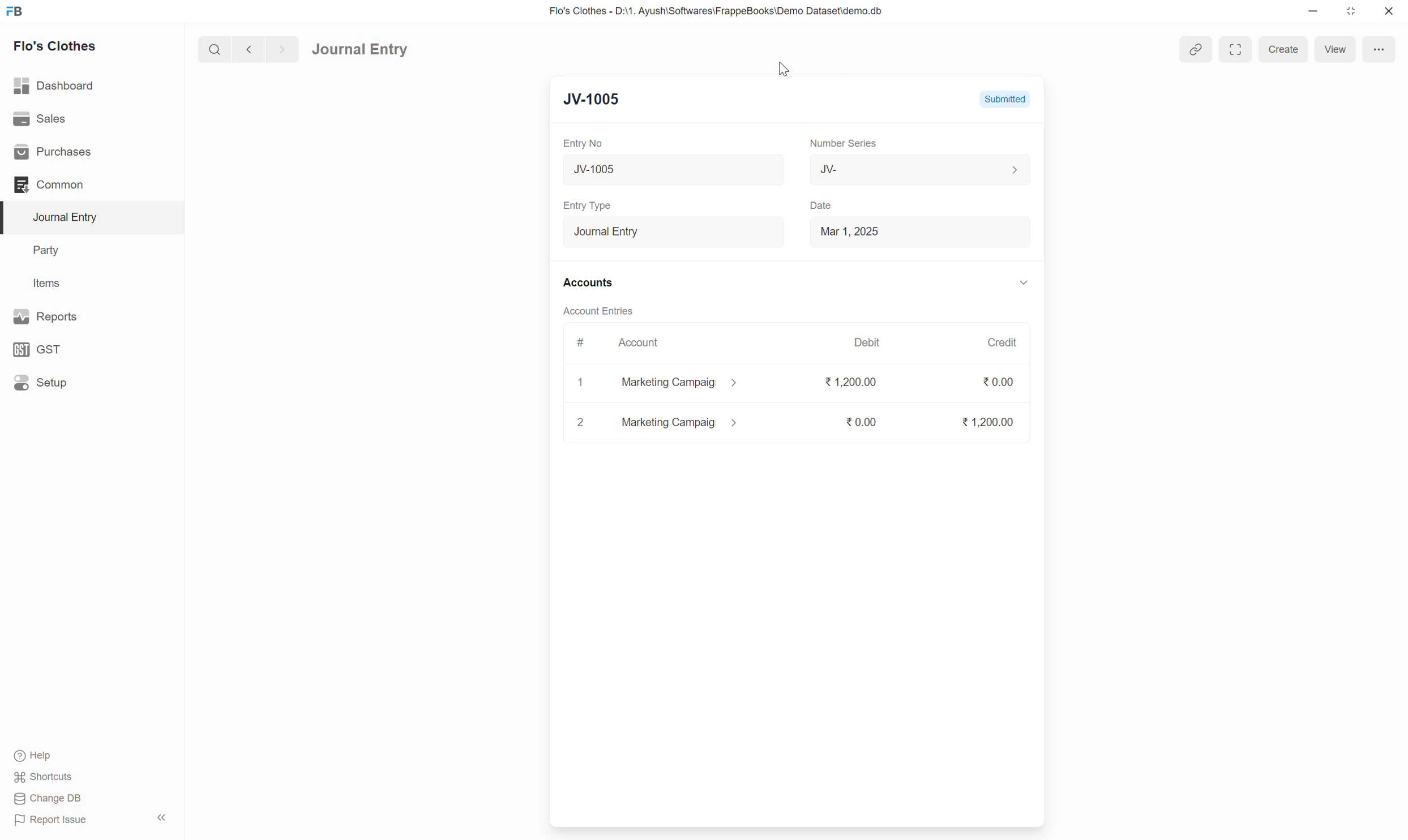  Describe the element at coordinates (590, 281) in the screenshot. I see `Accounts` at that location.